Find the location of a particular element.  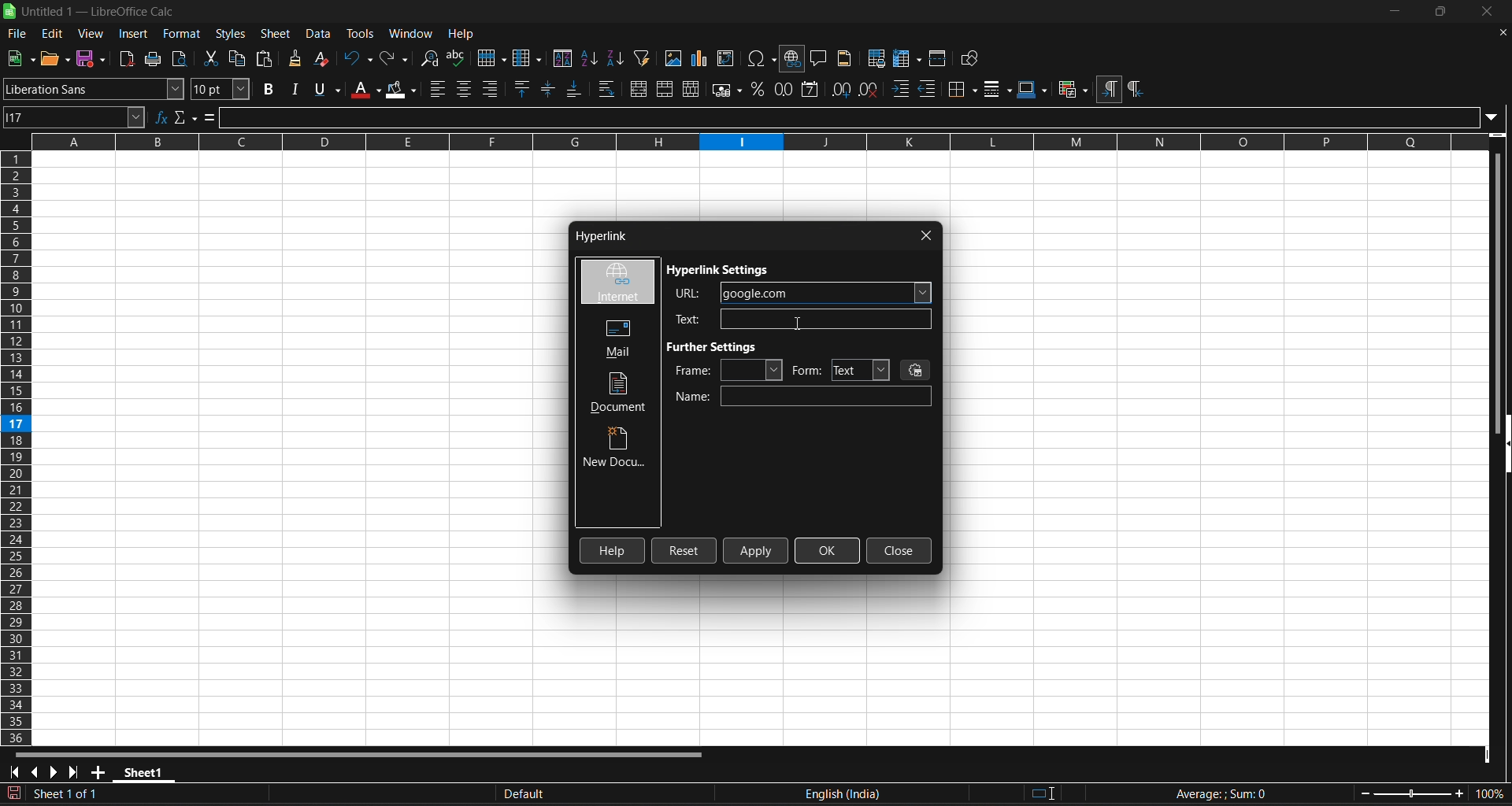

border is located at coordinates (963, 89).